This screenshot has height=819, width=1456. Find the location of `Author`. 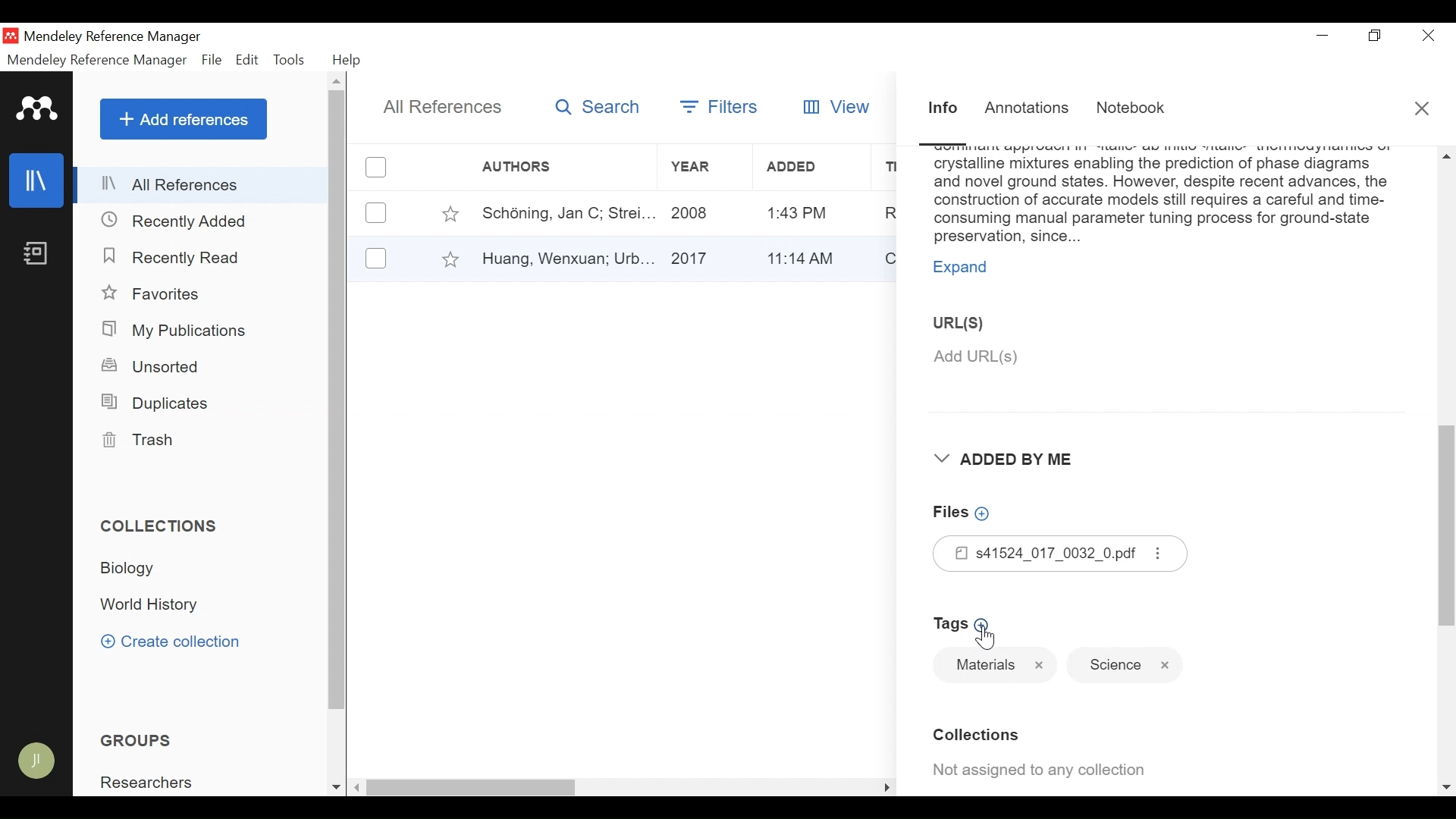

Author is located at coordinates (542, 167).